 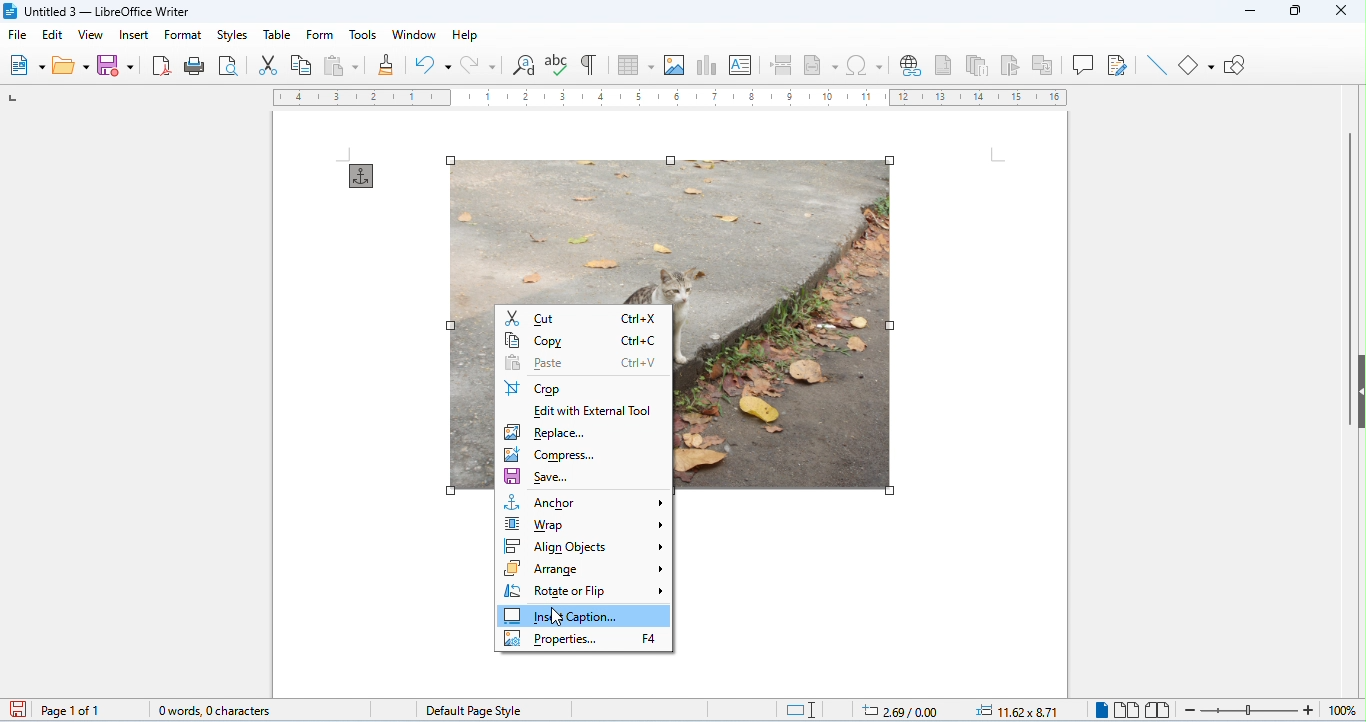 What do you see at coordinates (321, 34) in the screenshot?
I see `form` at bounding box center [321, 34].